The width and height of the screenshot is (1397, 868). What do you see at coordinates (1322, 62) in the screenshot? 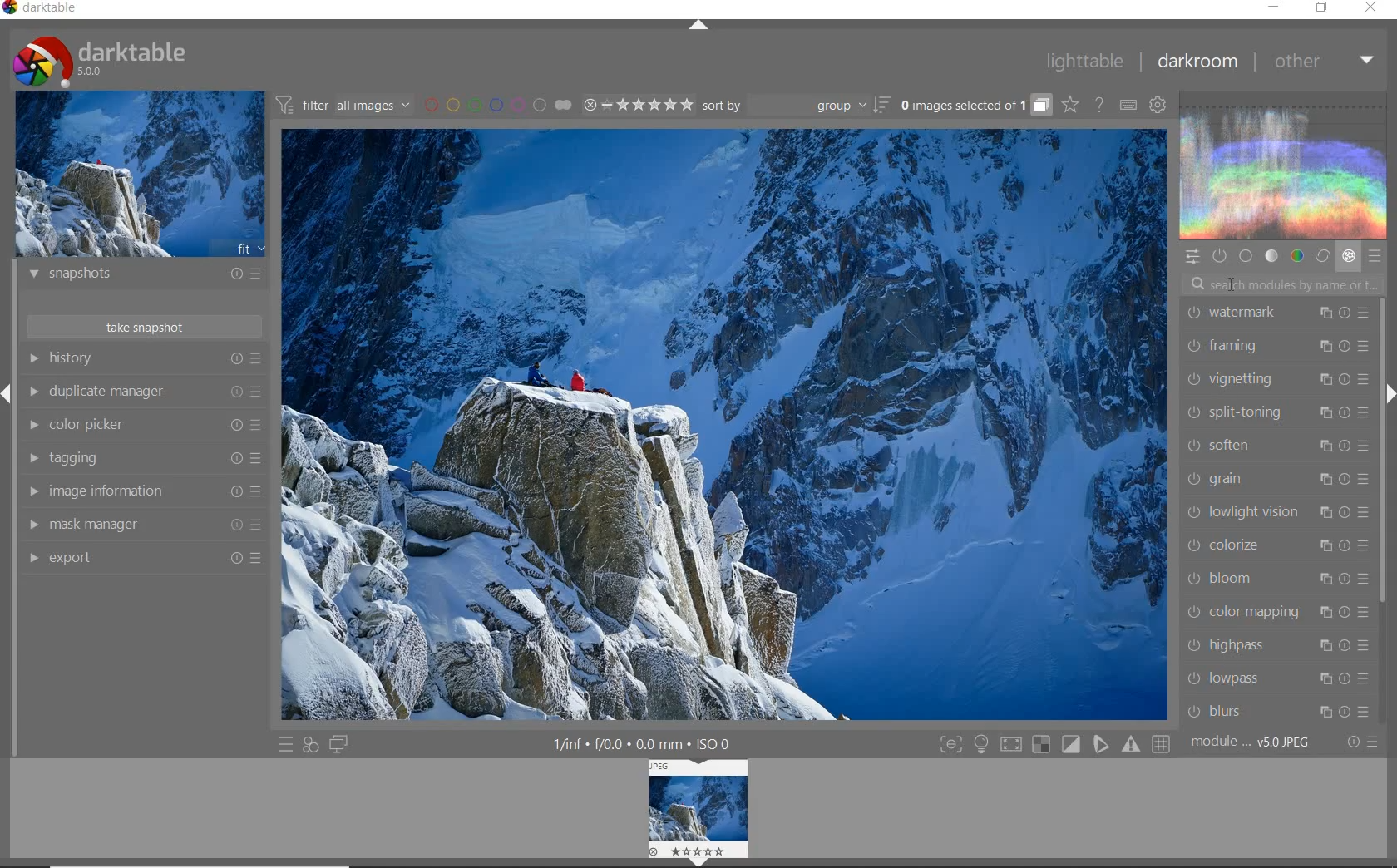
I see `other` at bounding box center [1322, 62].